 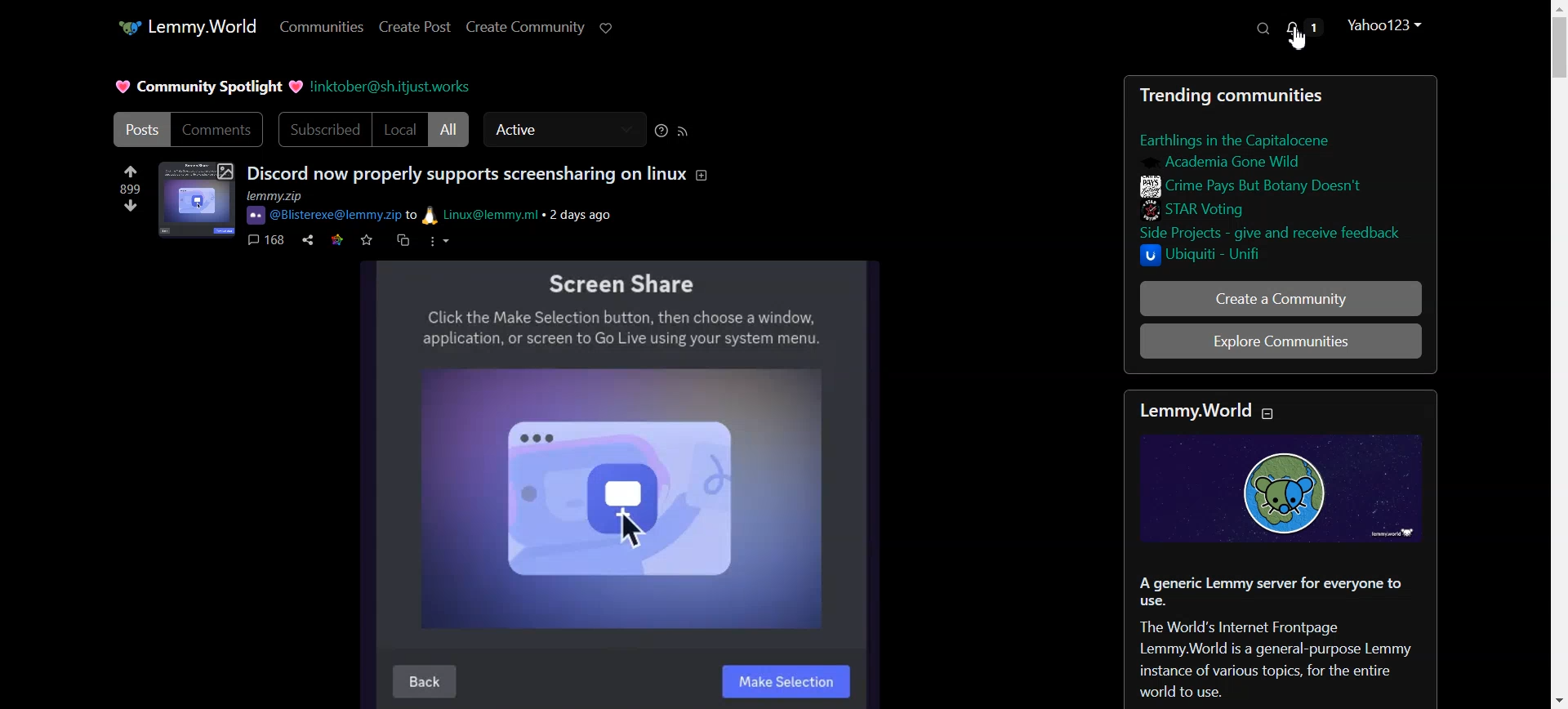 I want to click on lemmy.zip, so click(x=302, y=195).